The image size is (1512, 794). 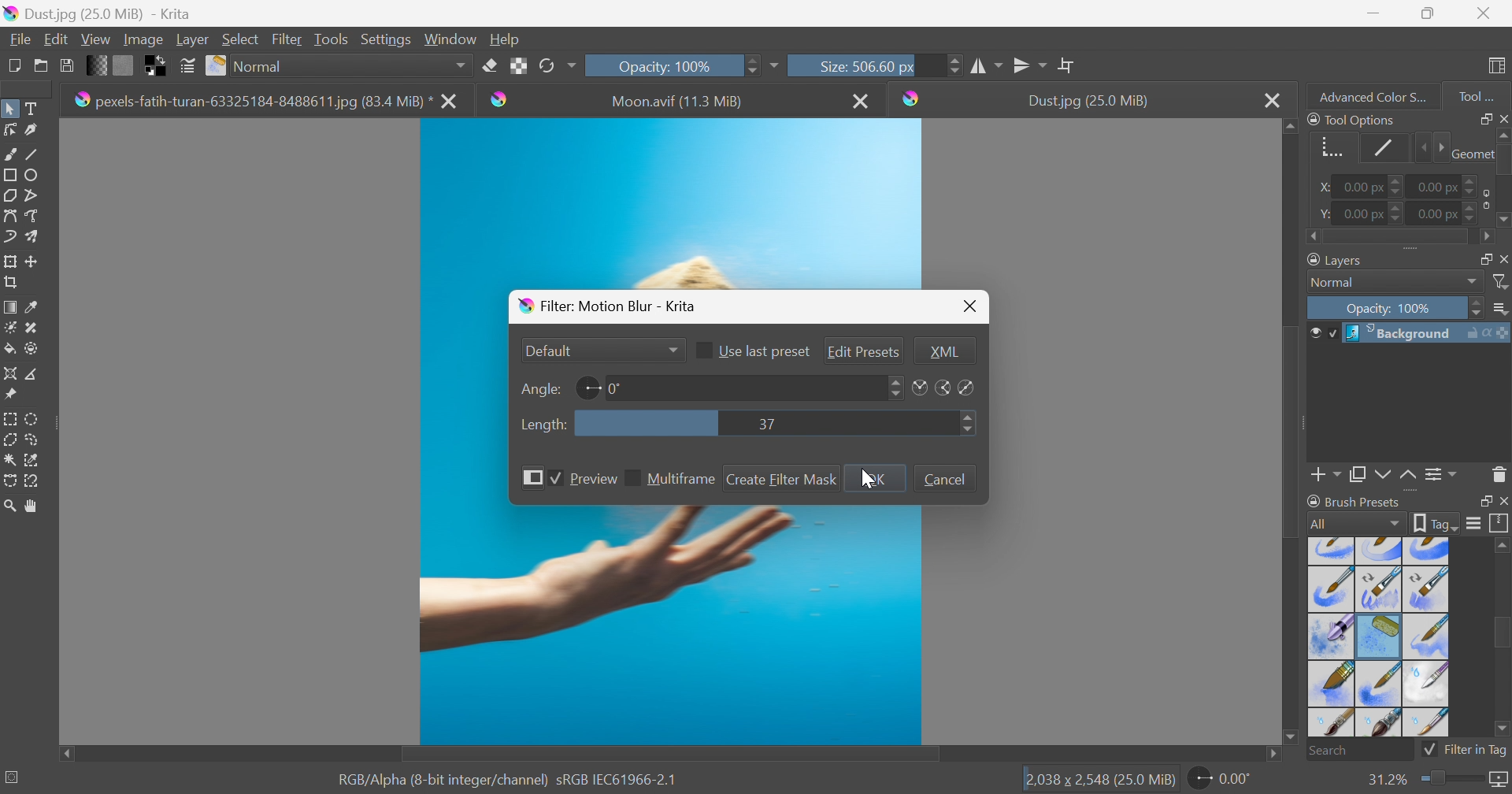 What do you see at coordinates (862, 100) in the screenshot?
I see `Close` at bounding box center [862, 100].